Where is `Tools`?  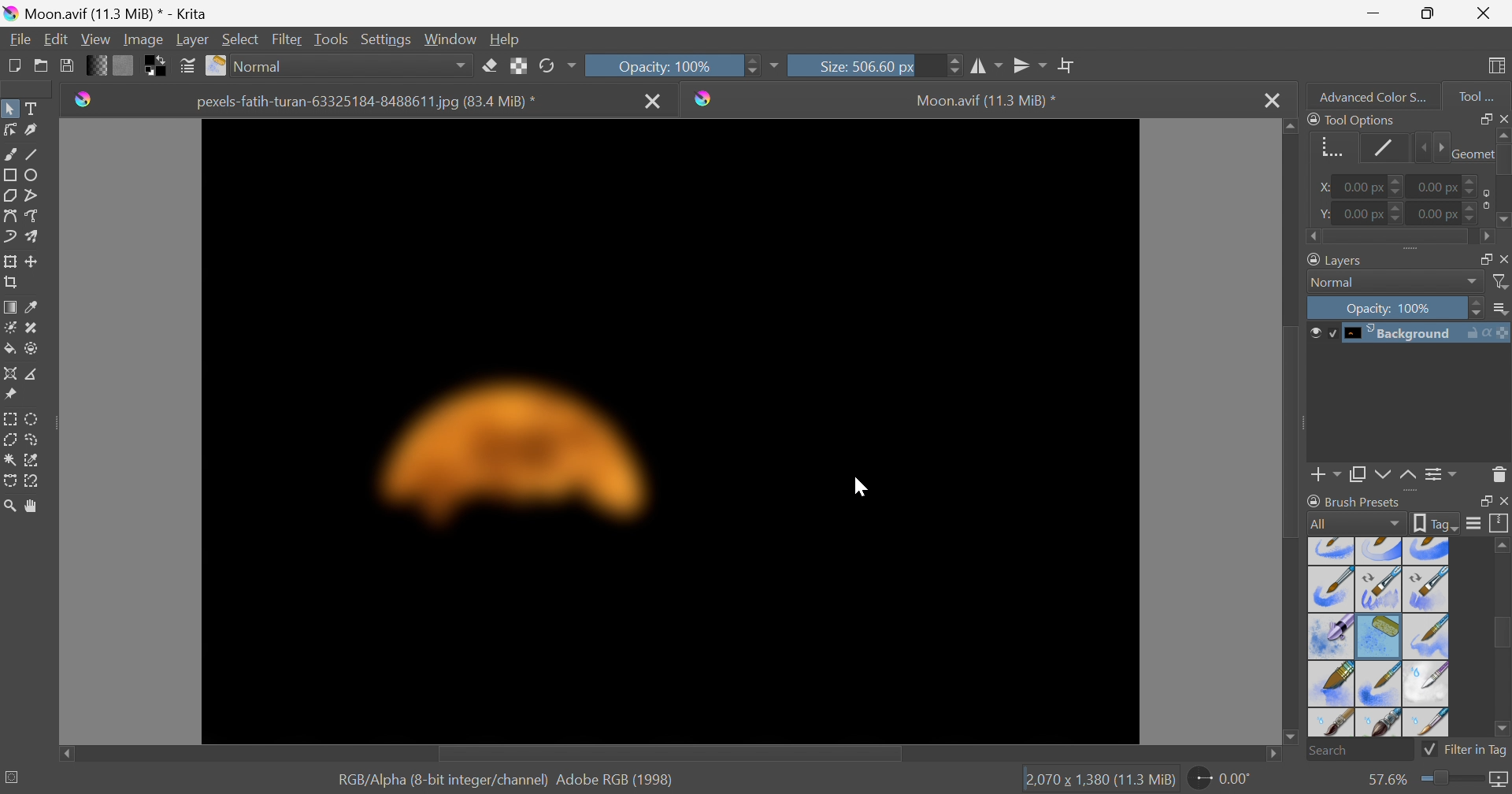 Tools is located at coordinates (330, 40).